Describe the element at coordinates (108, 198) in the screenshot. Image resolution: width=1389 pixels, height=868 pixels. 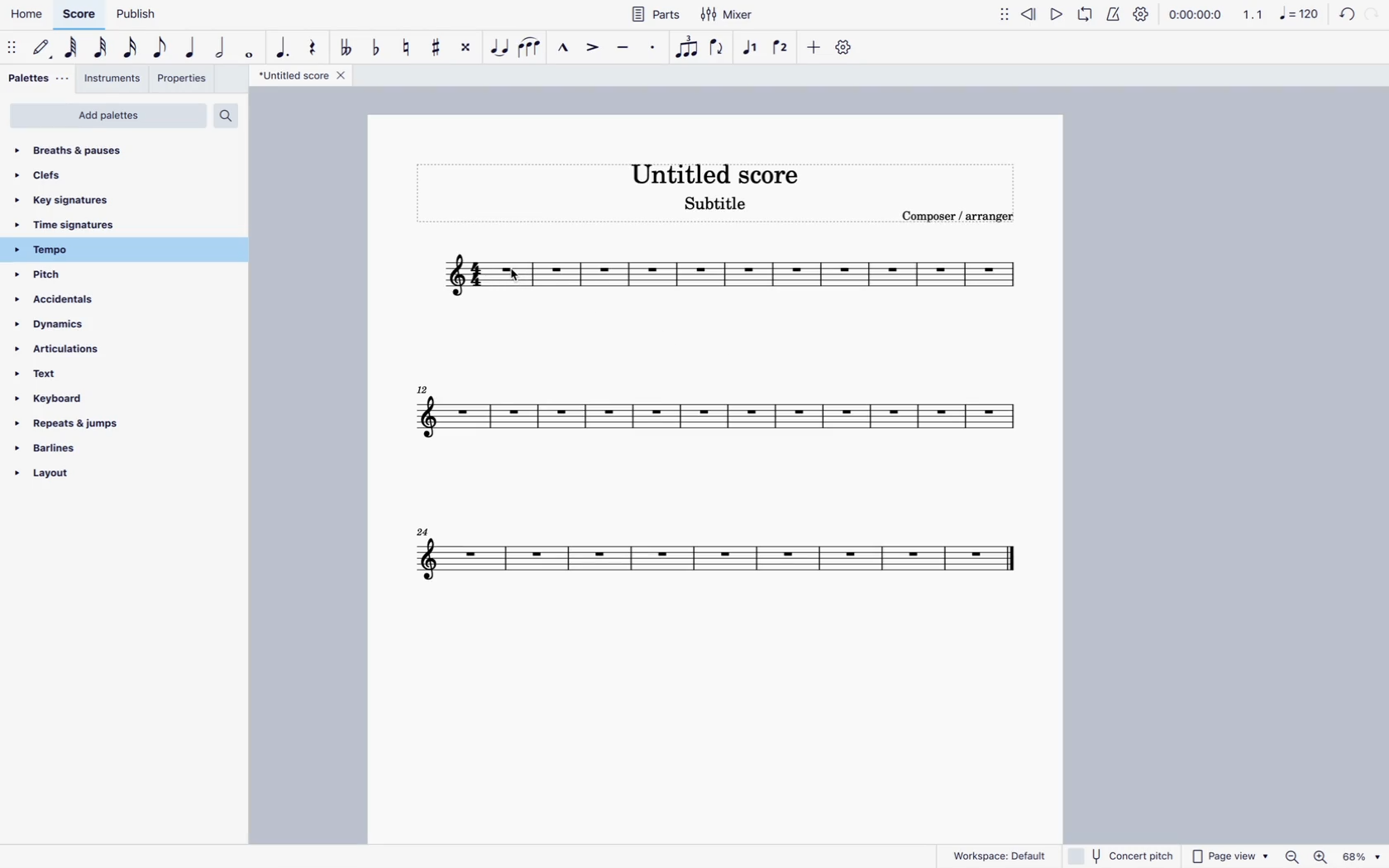
I see `key signatures` at that location.